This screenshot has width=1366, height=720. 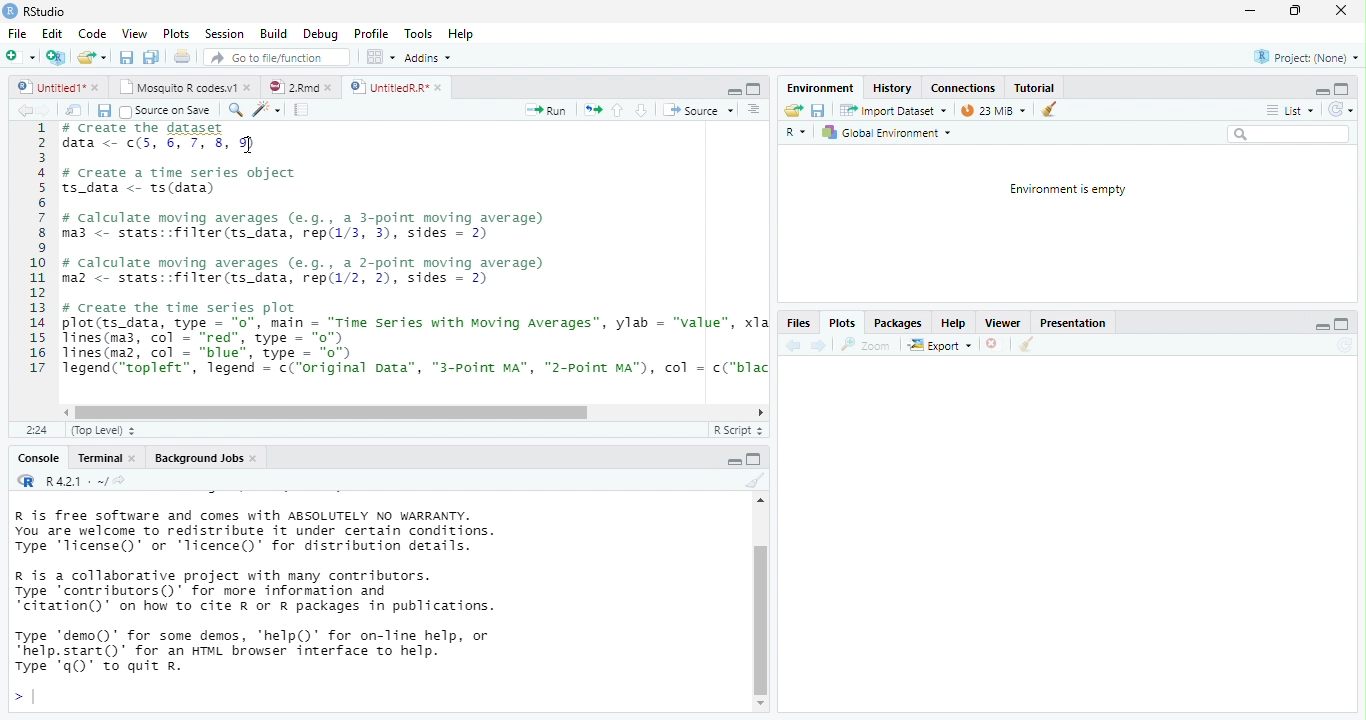 What do you see at coordinates (734, 92) in the screenshot?
I see `minimize` at bounding box center [734, 92].